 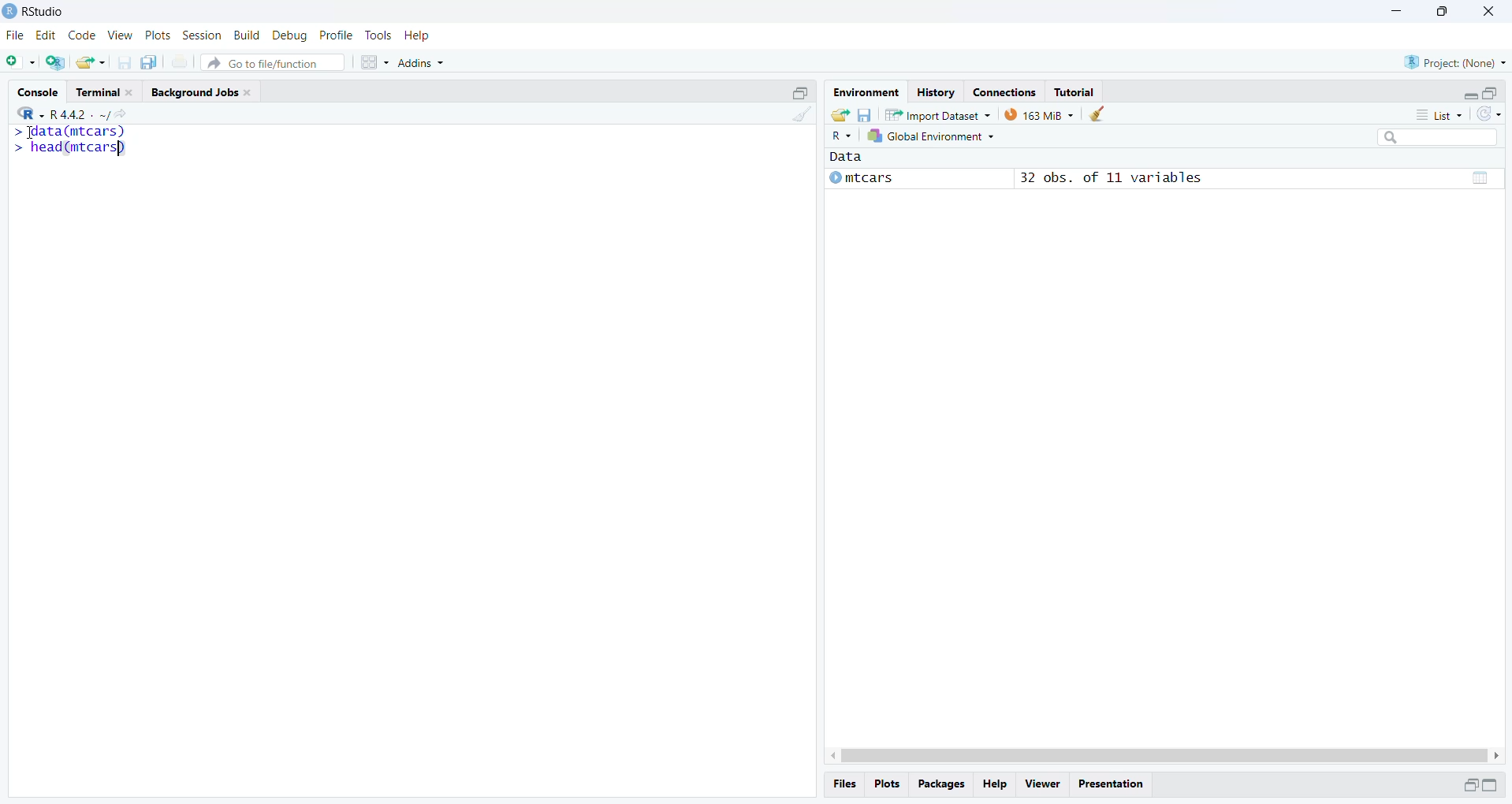 I want to click on Connections, so click(x=1005, y=93).